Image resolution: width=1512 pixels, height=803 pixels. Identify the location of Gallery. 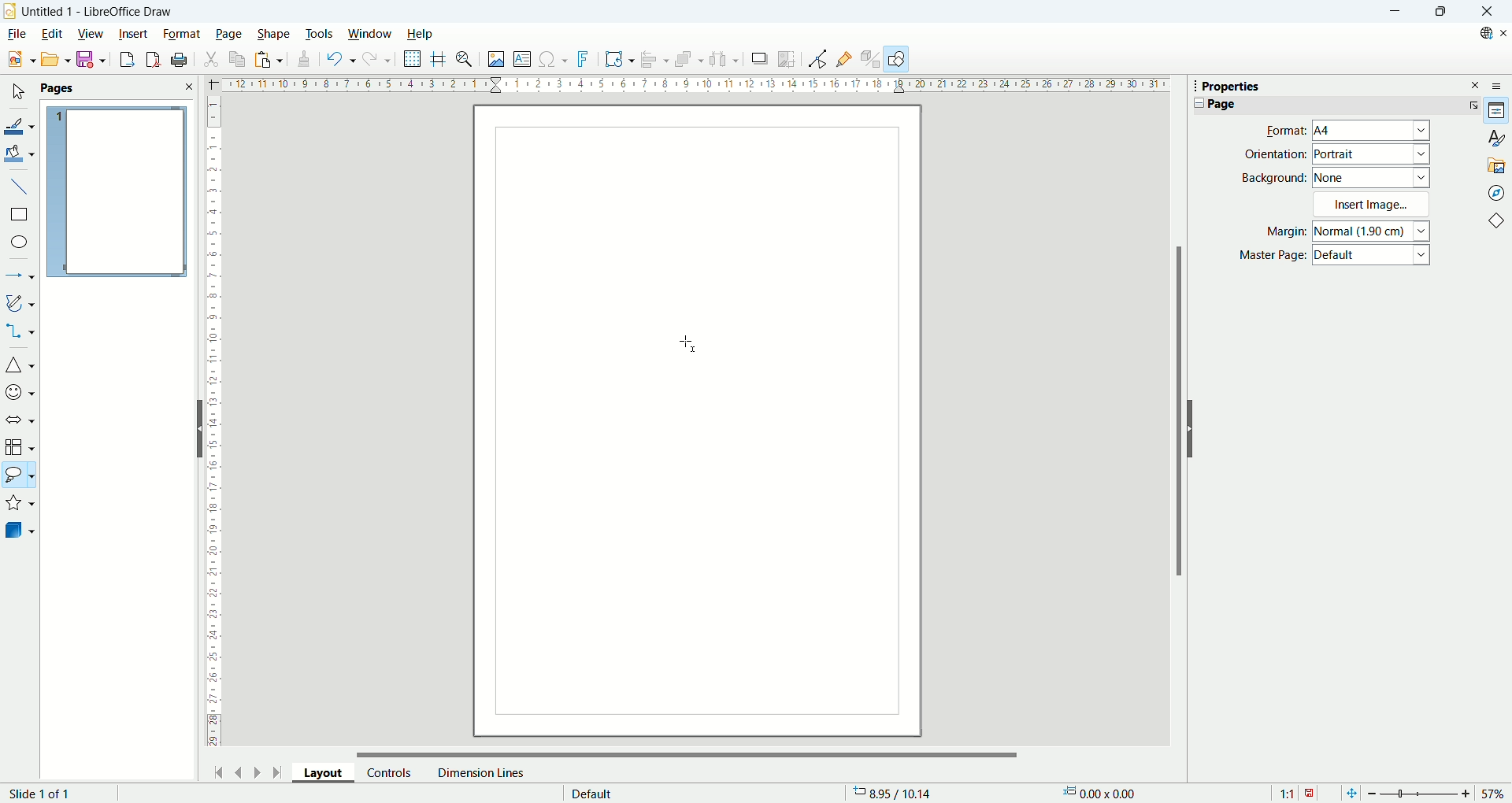
(1497, 165).